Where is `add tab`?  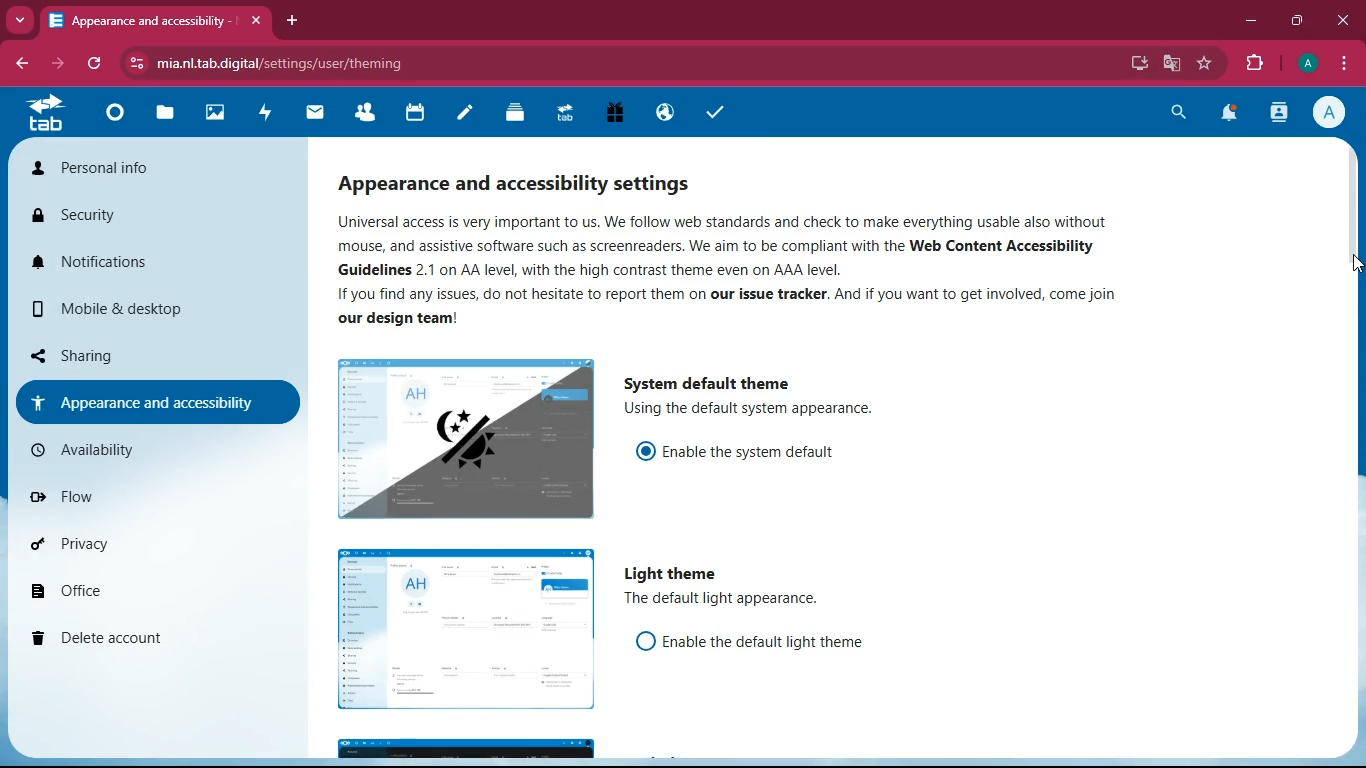 add tab is located at coordinates (295, 21).